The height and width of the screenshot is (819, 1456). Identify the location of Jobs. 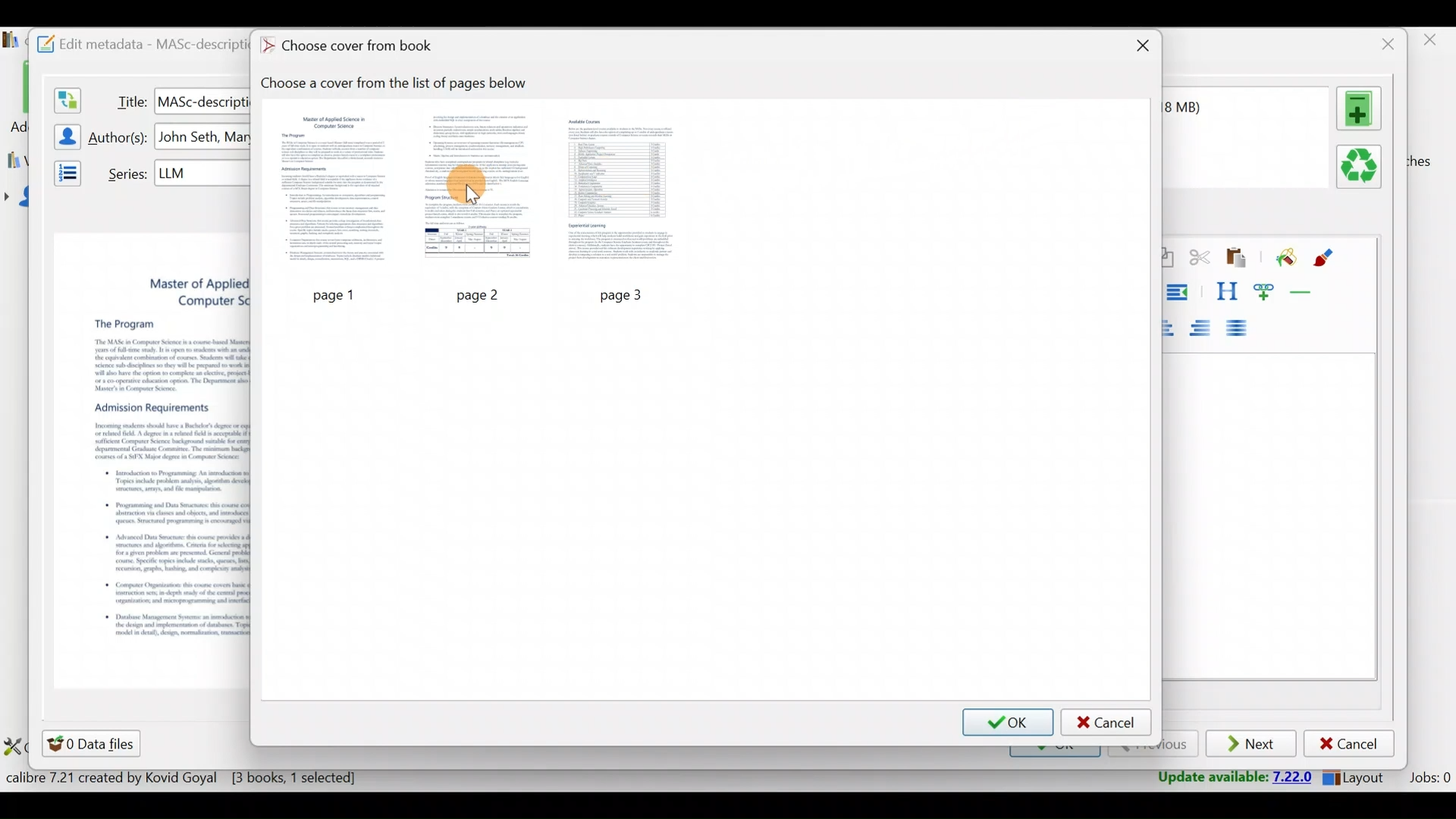
(1428, 780).